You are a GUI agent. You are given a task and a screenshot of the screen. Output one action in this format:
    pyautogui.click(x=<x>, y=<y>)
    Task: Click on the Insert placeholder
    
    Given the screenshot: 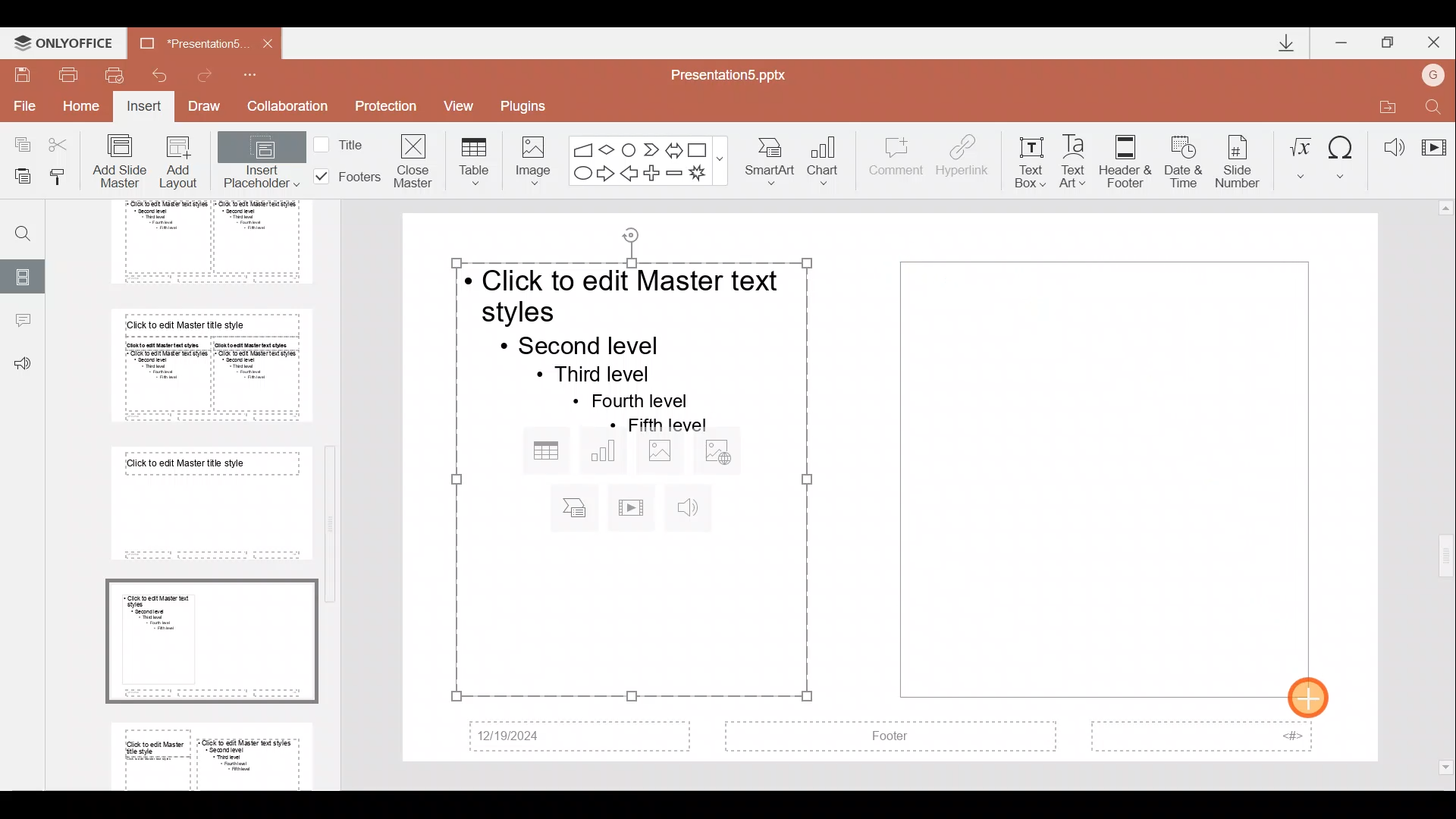 What is the action you would take?
    pyautogui.click(x=260, y=163)
    